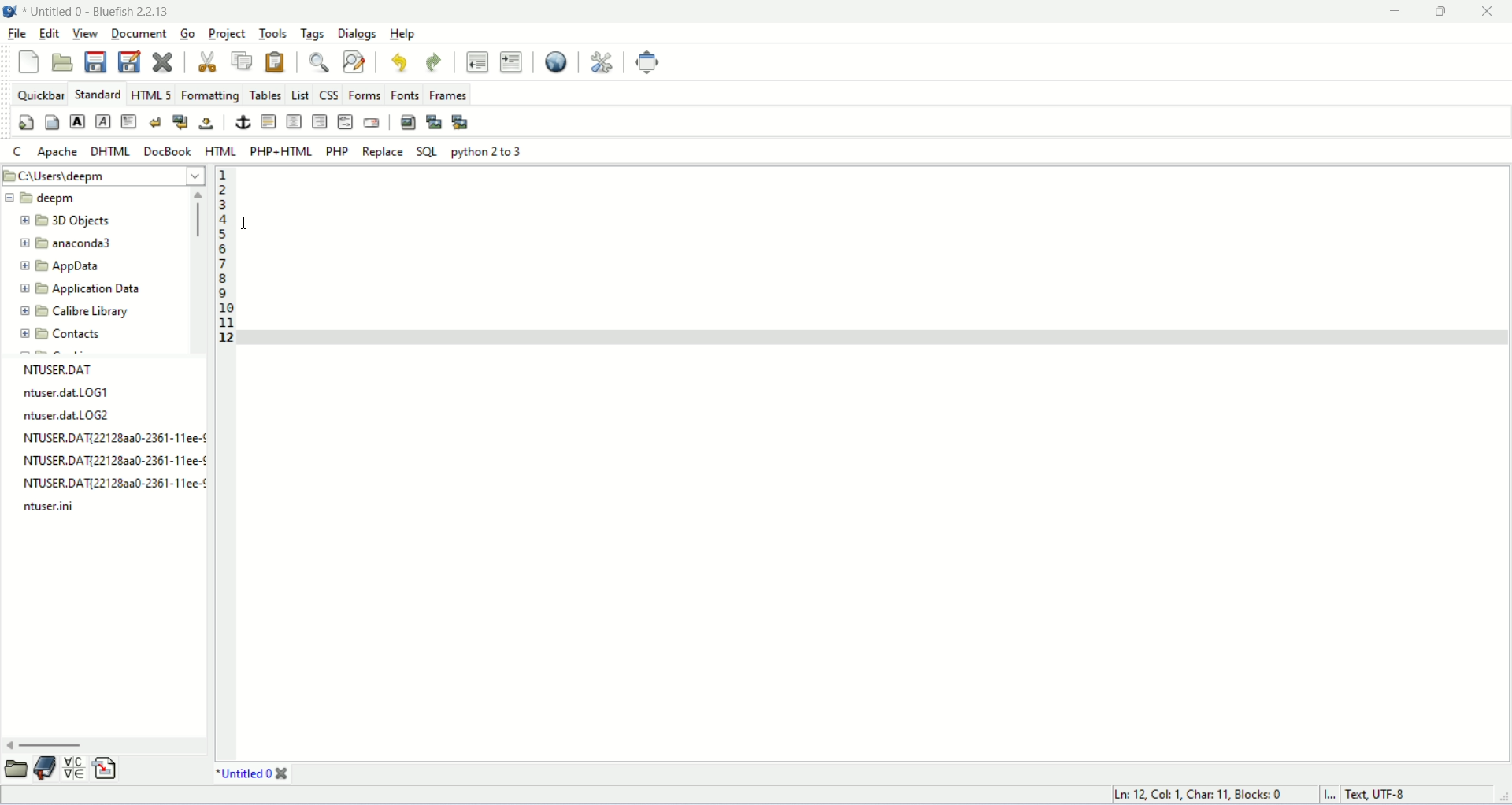 The image size is (1512, 805). What do you see at coordinates (10, 10) in the screenshot?
I see `application icon` at bounding box center [10, 10].